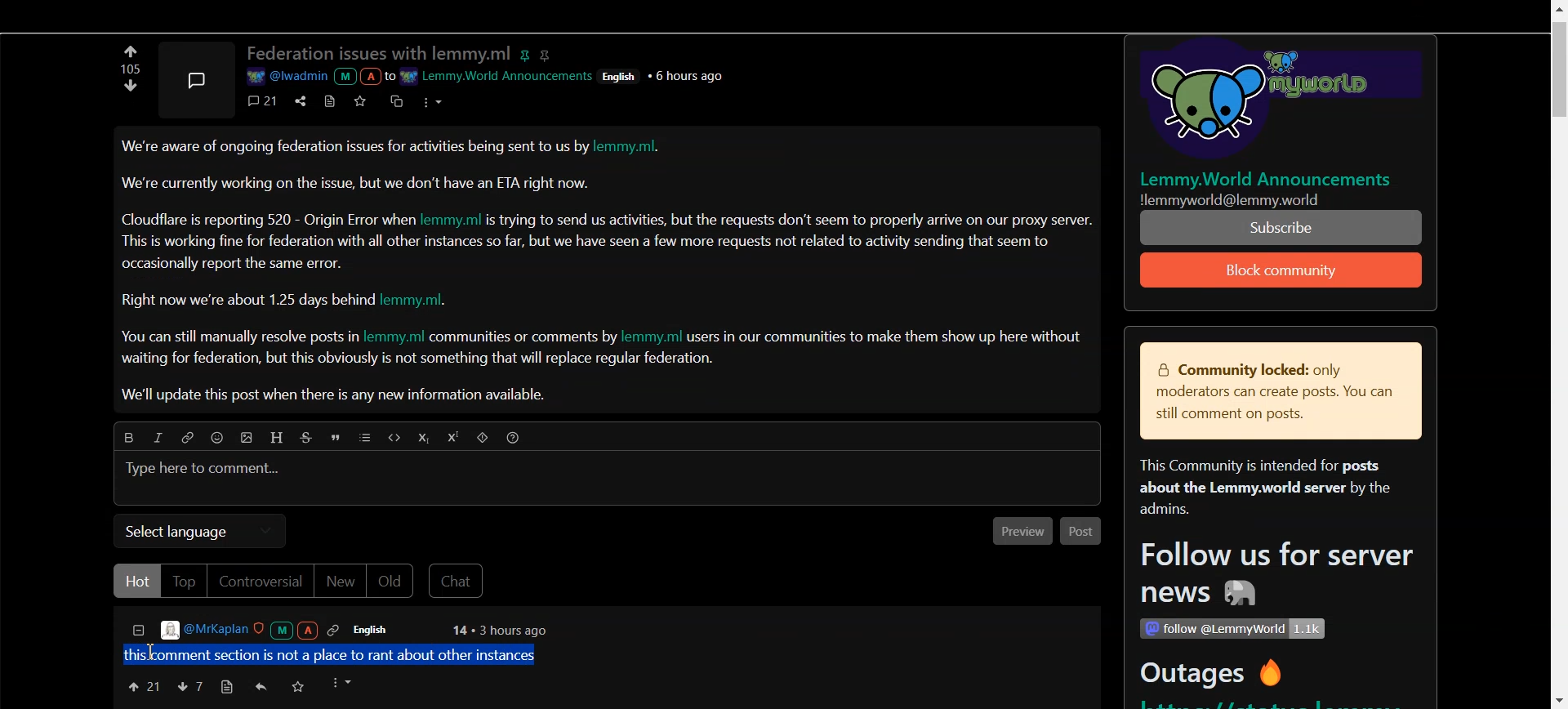 The height and width of the screenshot is (709, 1568). Describe the element at coordinates (366, 439) in the screenshot. I see `List ` at that location.